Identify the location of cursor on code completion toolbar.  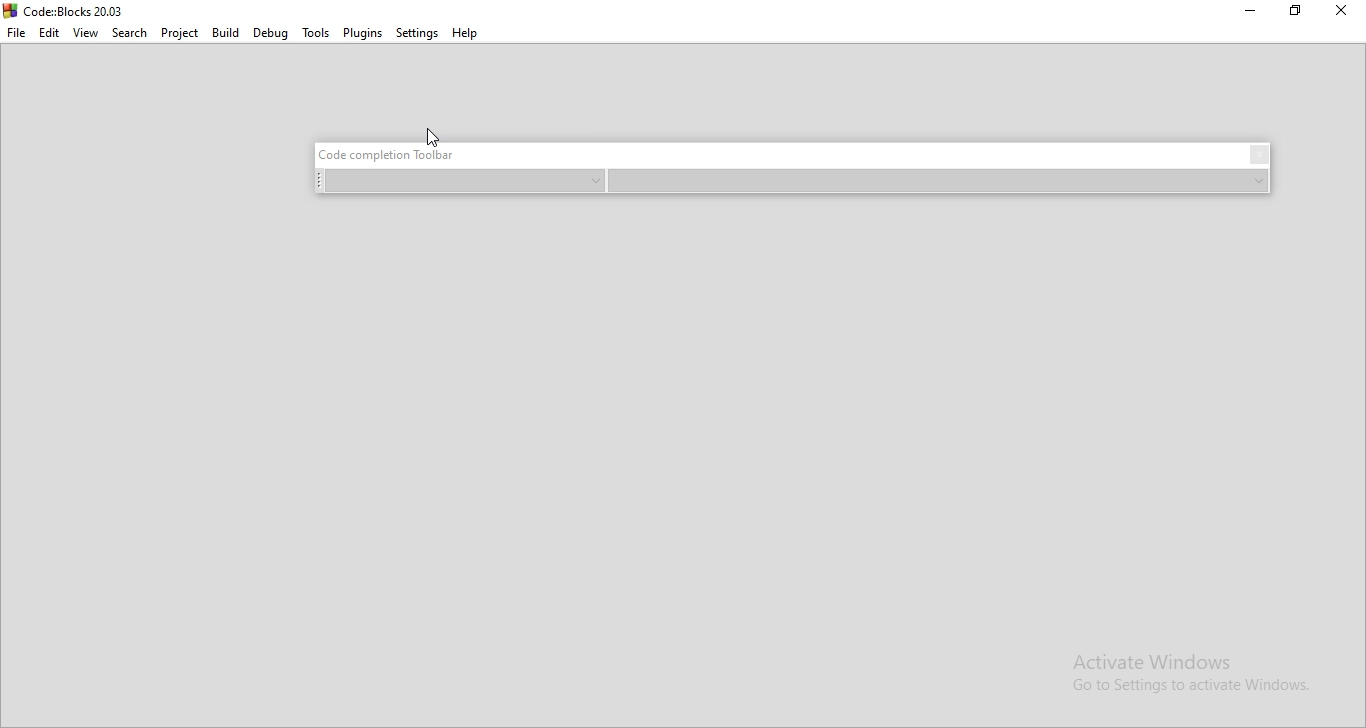
(431, 136).